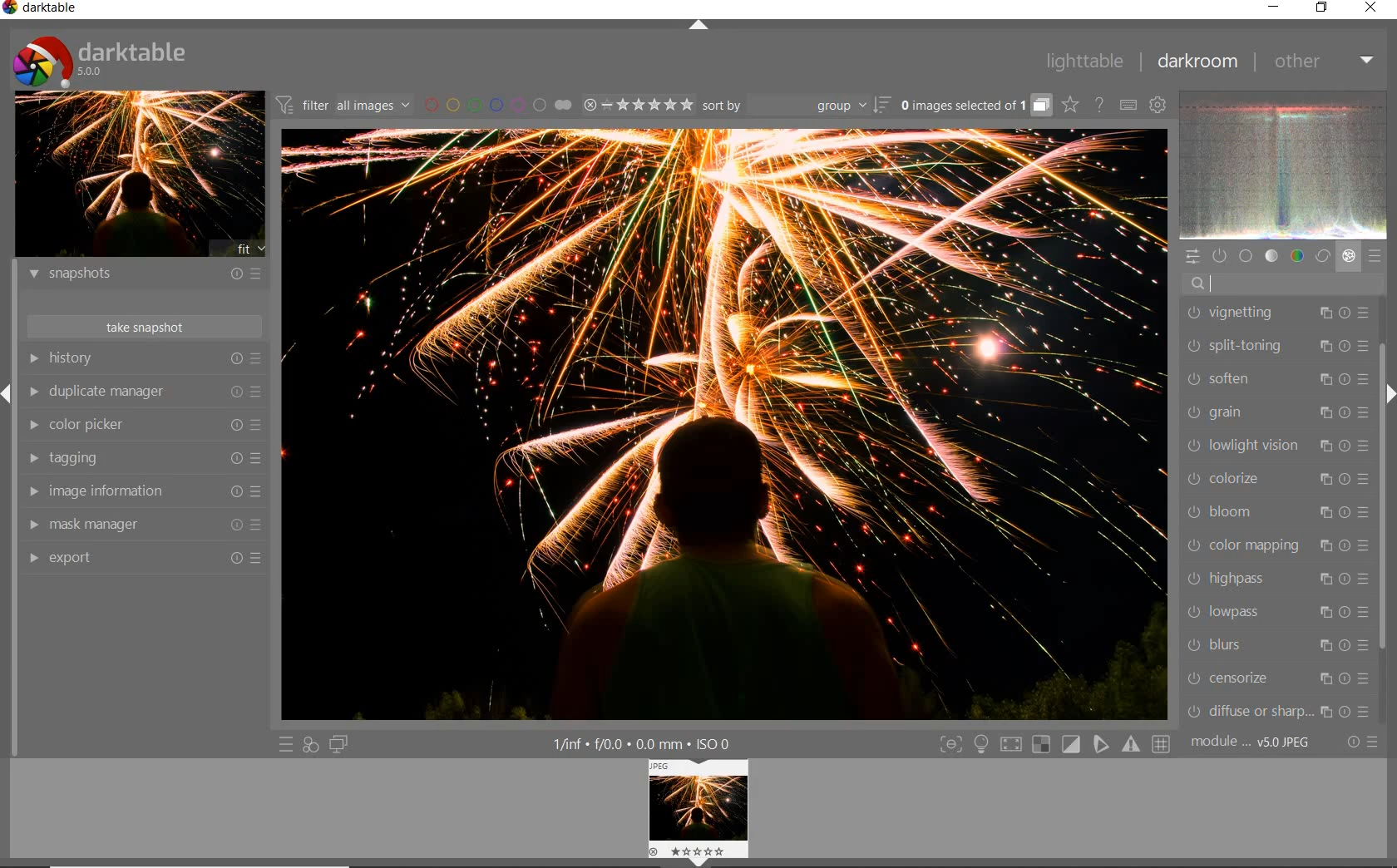 This screenshot has width=1397, height=868. Describe the element at coordinates (1247, 257) in the screenshot. I see `base` at that location.